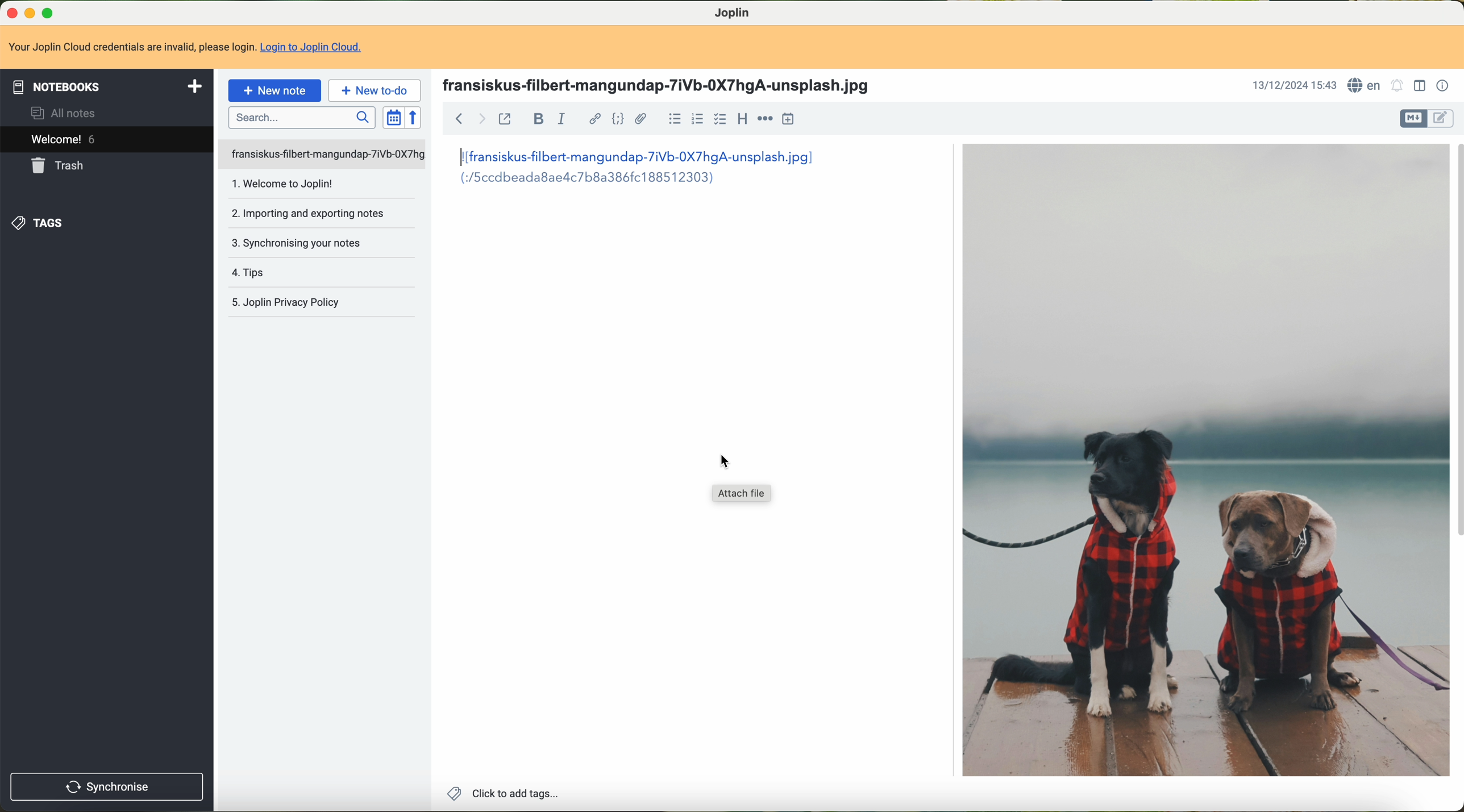  Describe the element at coordinates (766, 119) in the screenshot. I see `horizontal rule` at that location.